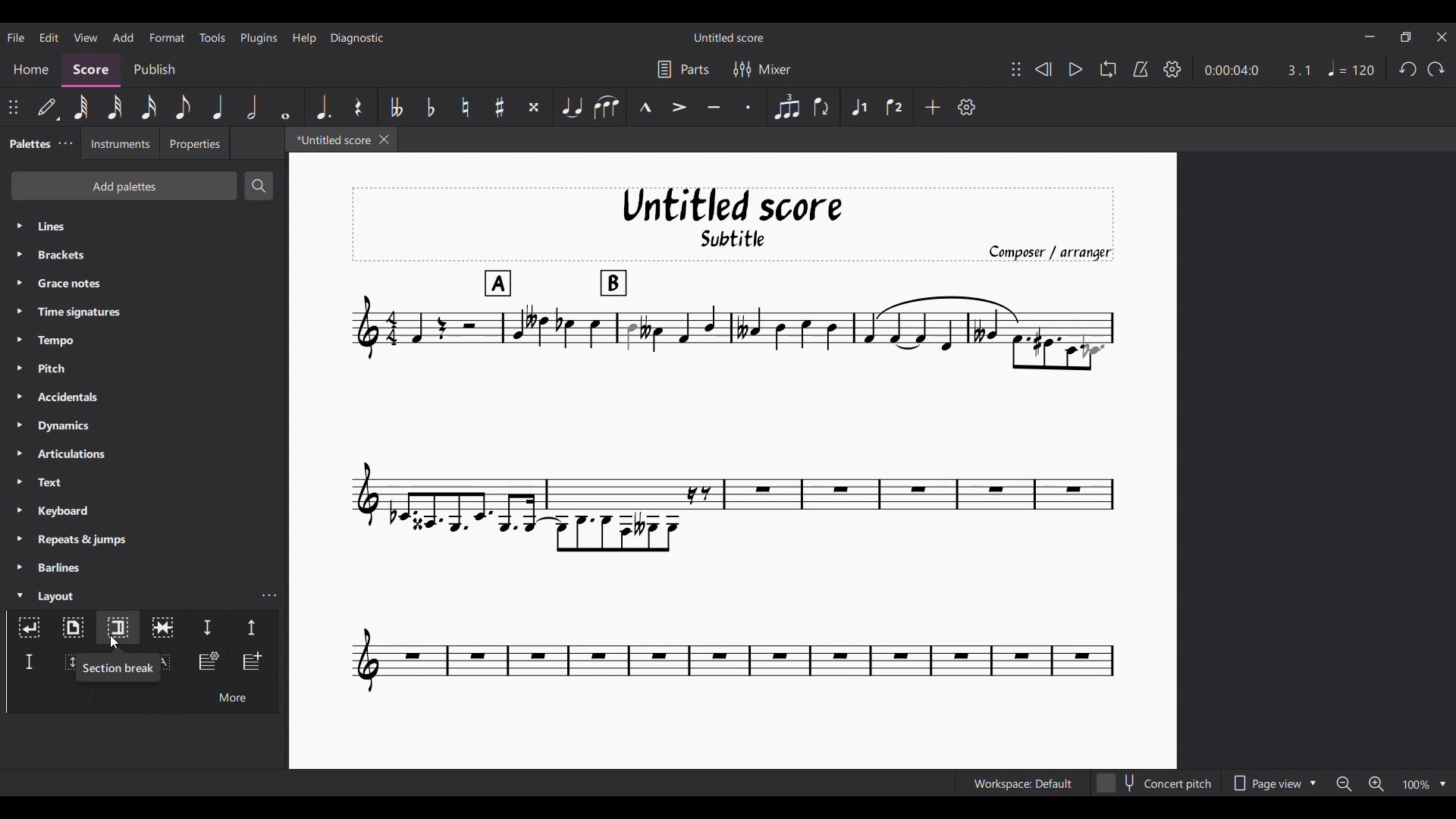 The height and width of the screenshot is (819, 1456). I want to click on Tie, so click(571, 106).